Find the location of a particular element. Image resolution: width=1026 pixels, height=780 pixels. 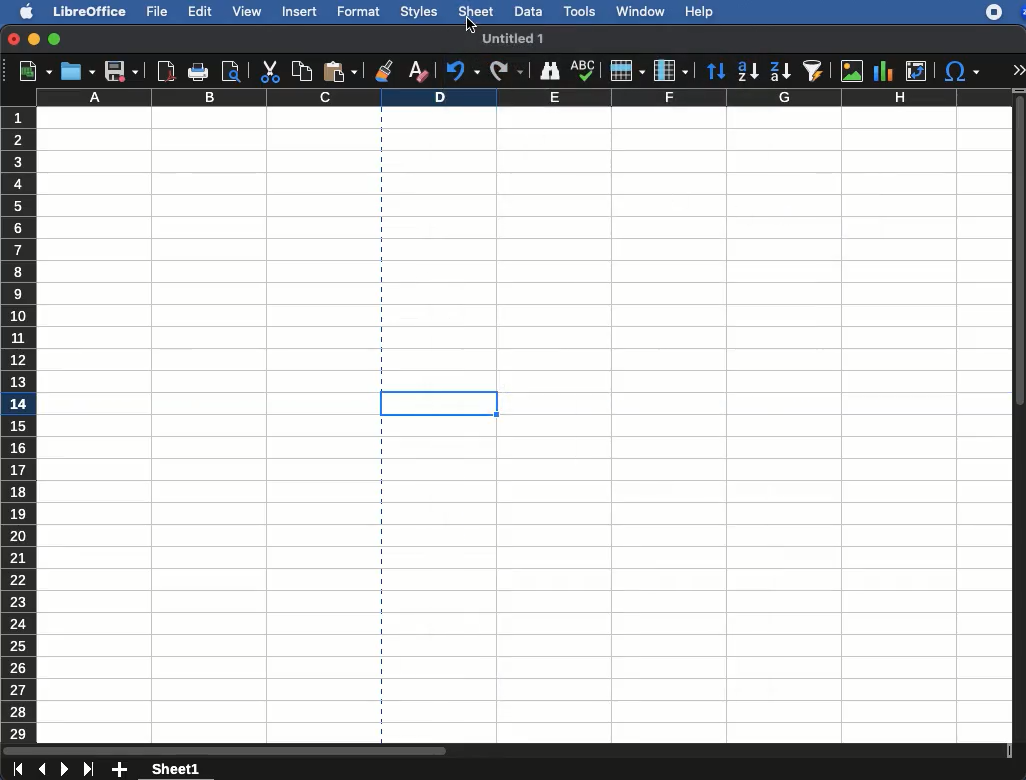

click is located at coordinates (471, 25).